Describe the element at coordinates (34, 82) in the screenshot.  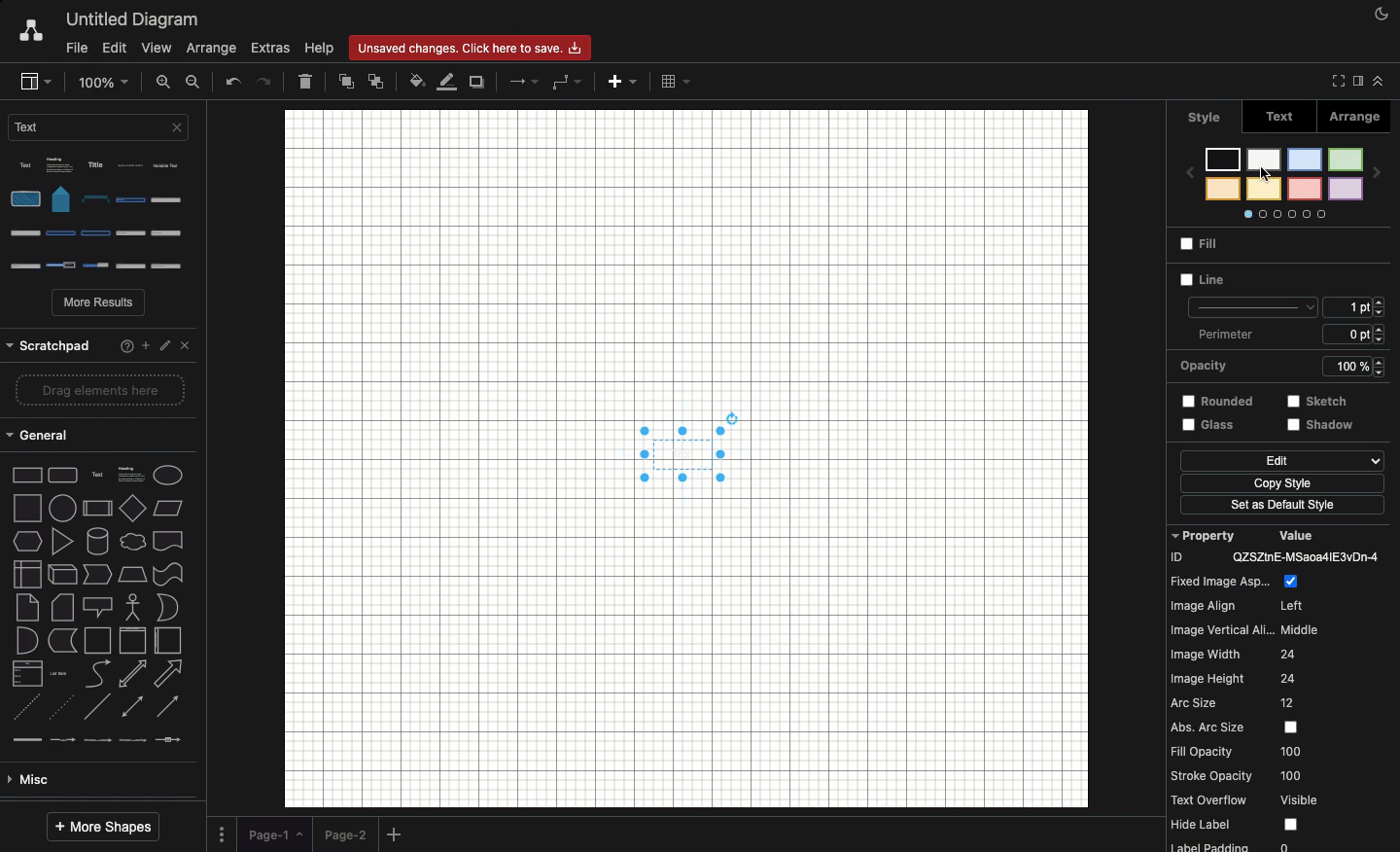
I see `Sidebar` at that location.